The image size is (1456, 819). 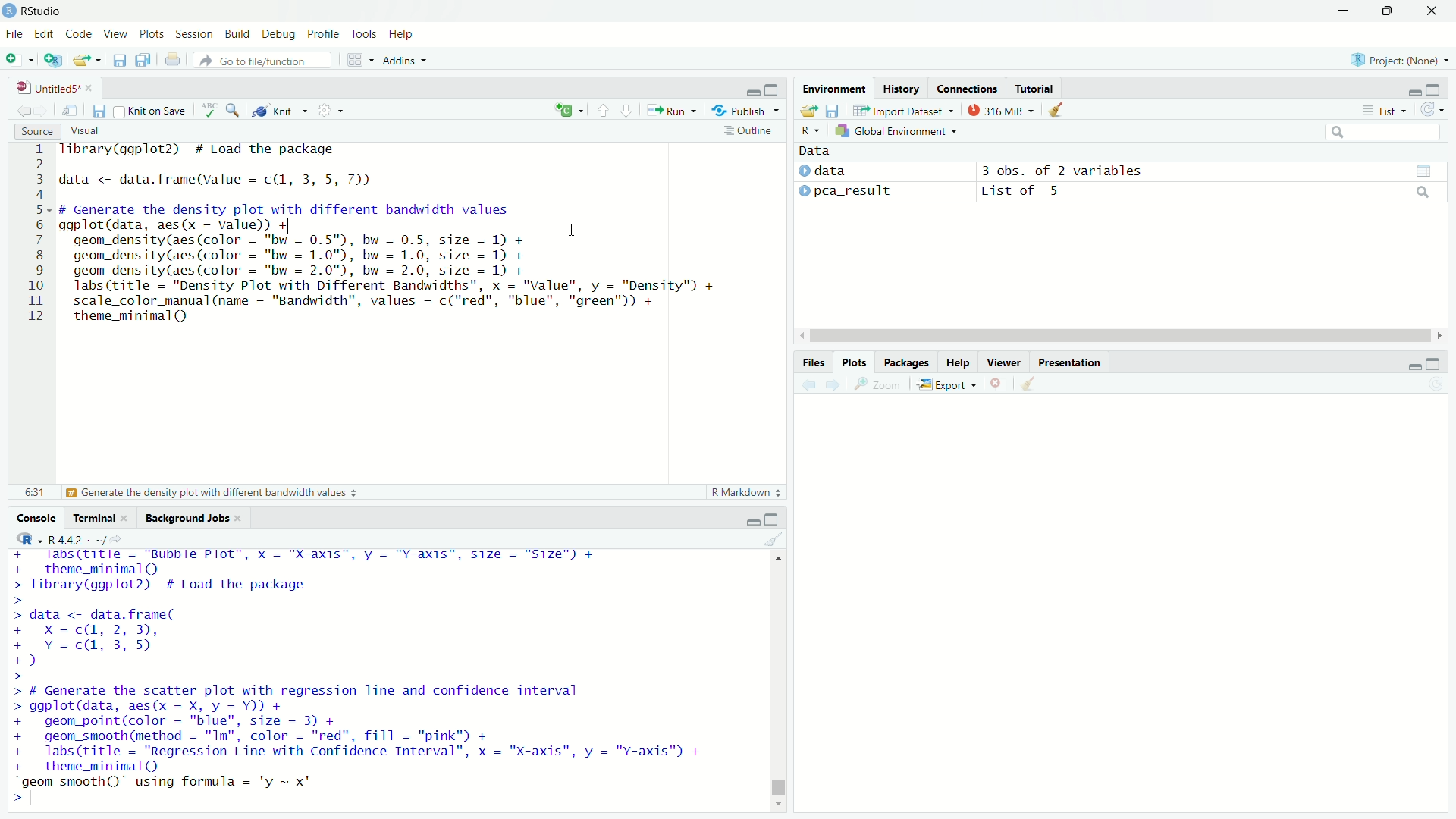 What do you see at coordinates (39, 110) in the screenshot?
I see `Go forward to next source location` at bounding box center [39, 110].